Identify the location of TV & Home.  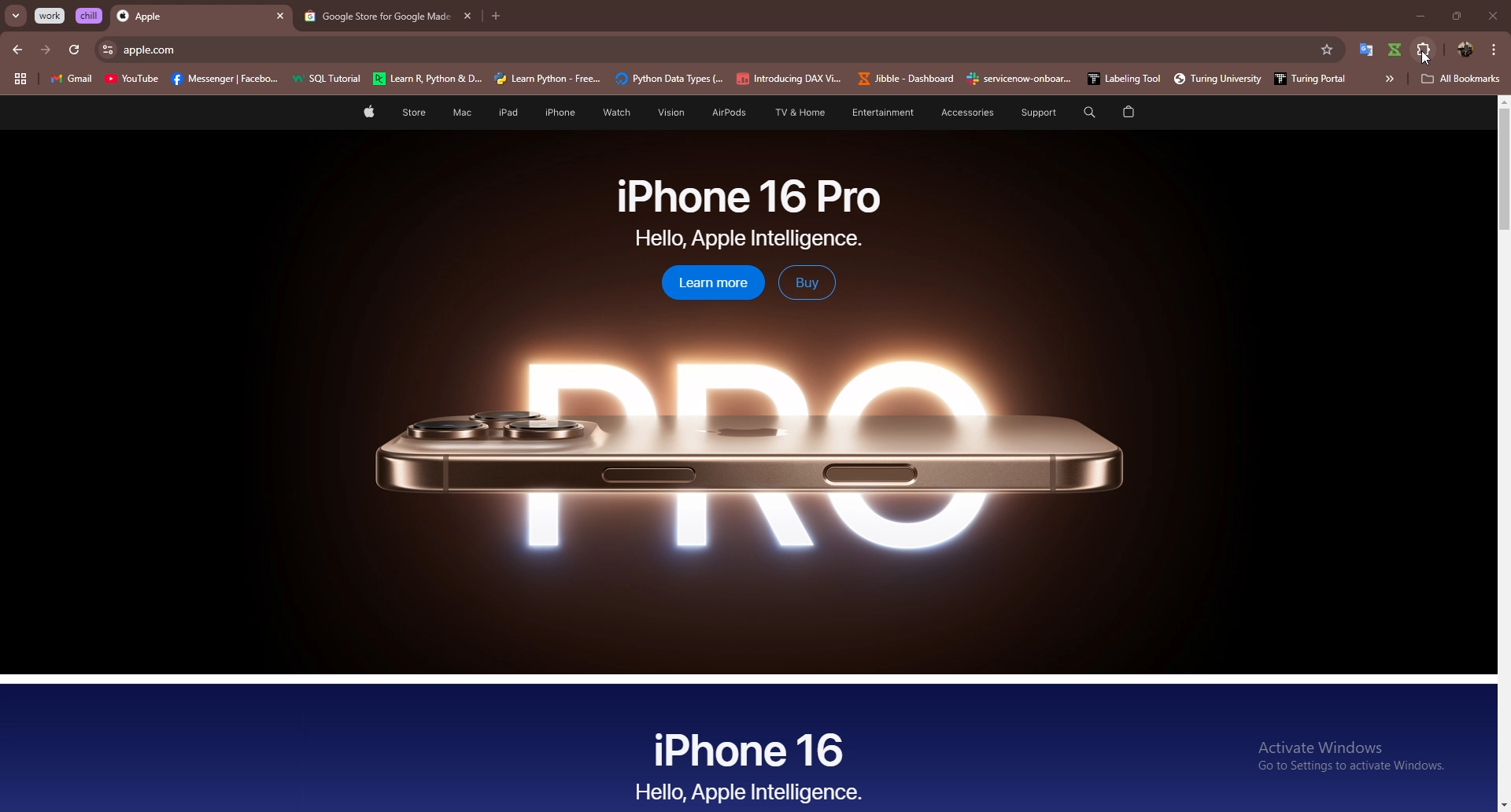
(797, 113).